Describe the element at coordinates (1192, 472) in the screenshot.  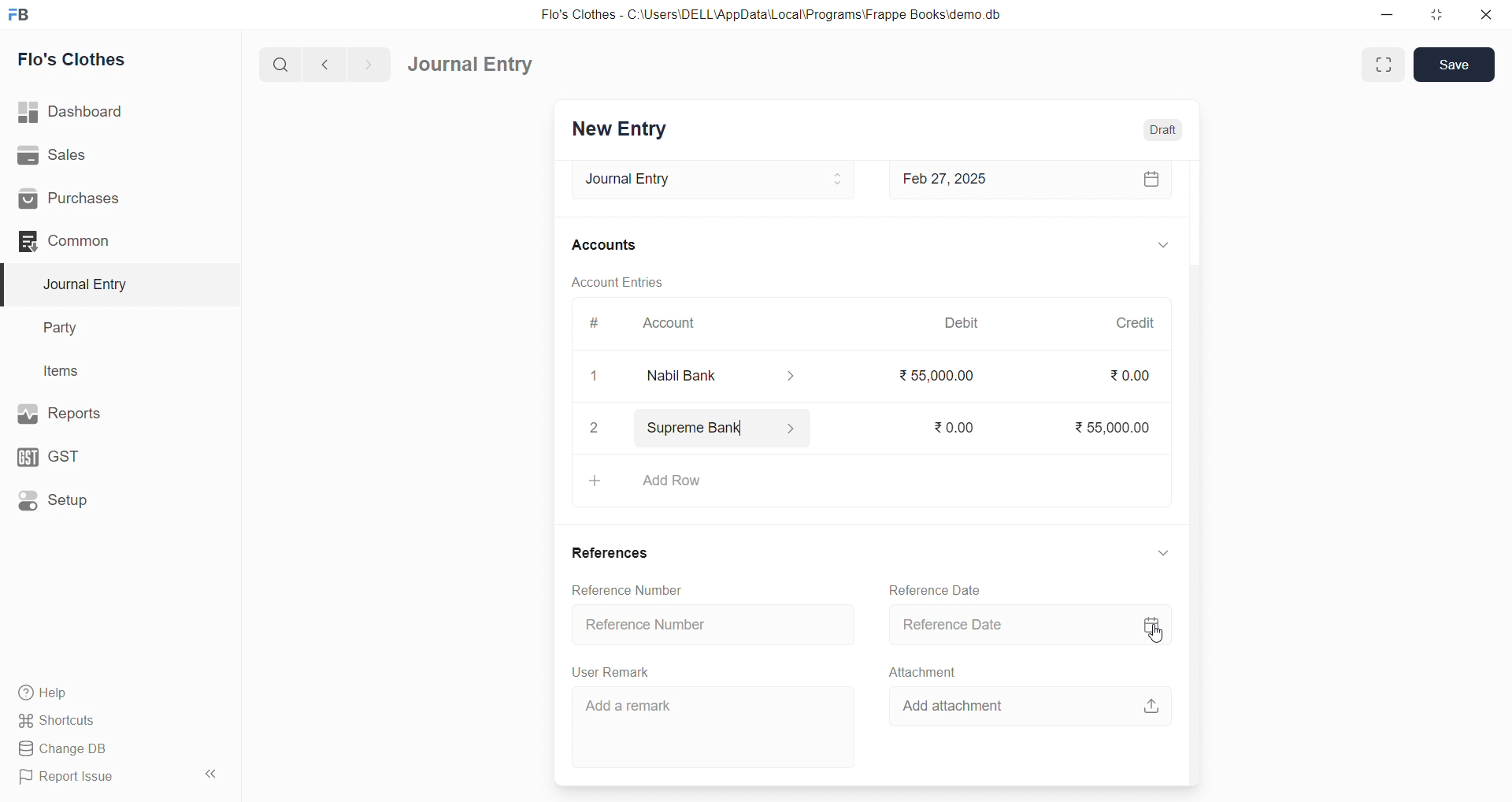
I see `VERTICAL SCROLL BAR` at that location.